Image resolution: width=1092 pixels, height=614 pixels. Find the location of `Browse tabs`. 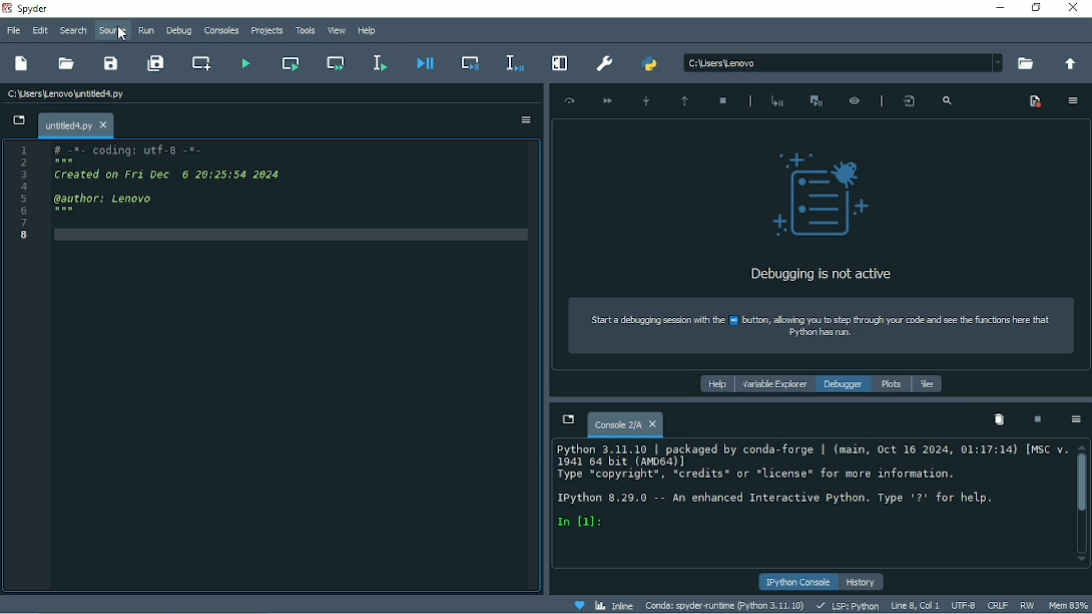

Browse tabs is located at coordinates (564, 421).